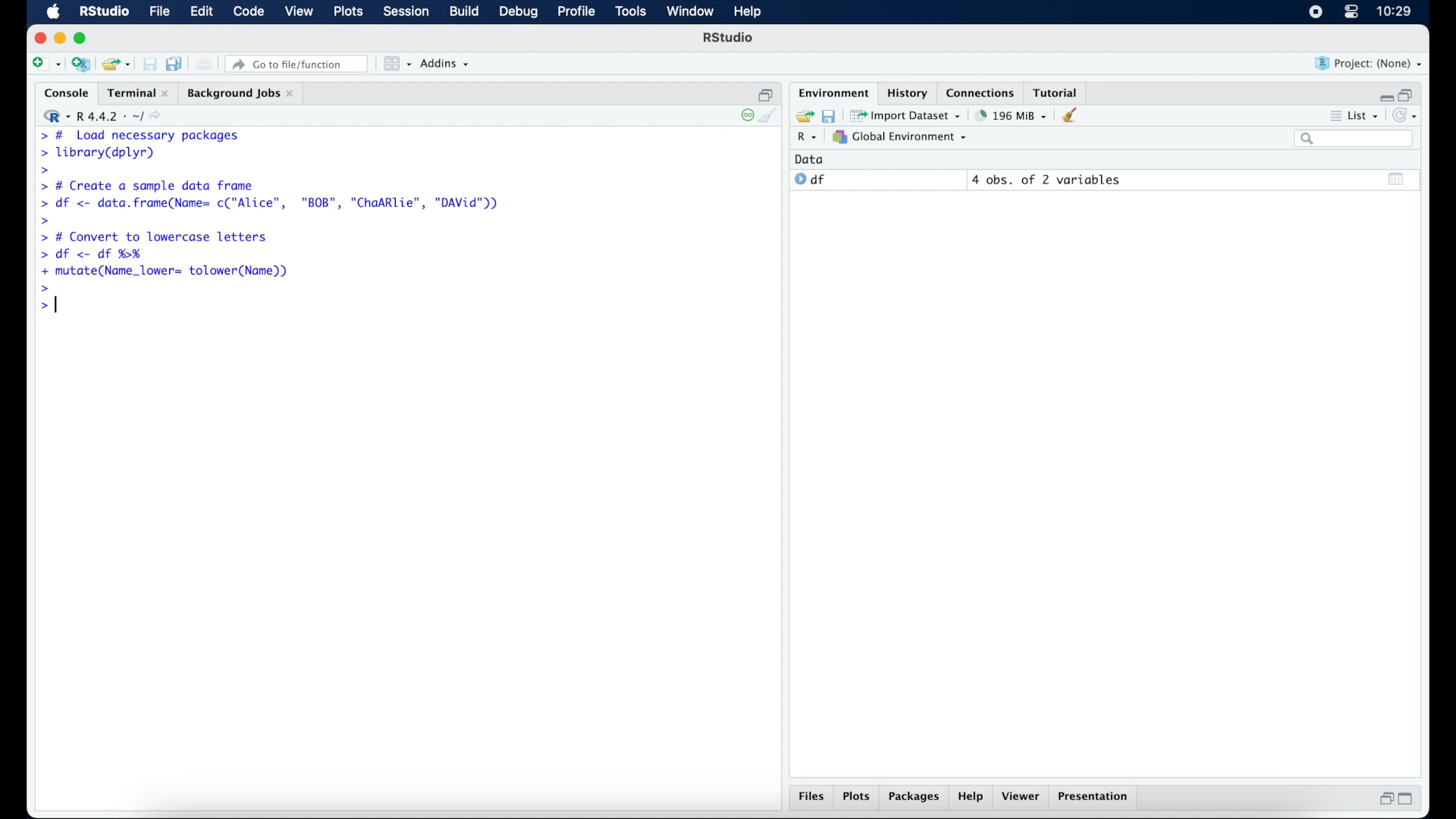  What do you see at coordinates (104, 12) in the screenshot?
I see `R Studio` at bounding box center [104, 12].